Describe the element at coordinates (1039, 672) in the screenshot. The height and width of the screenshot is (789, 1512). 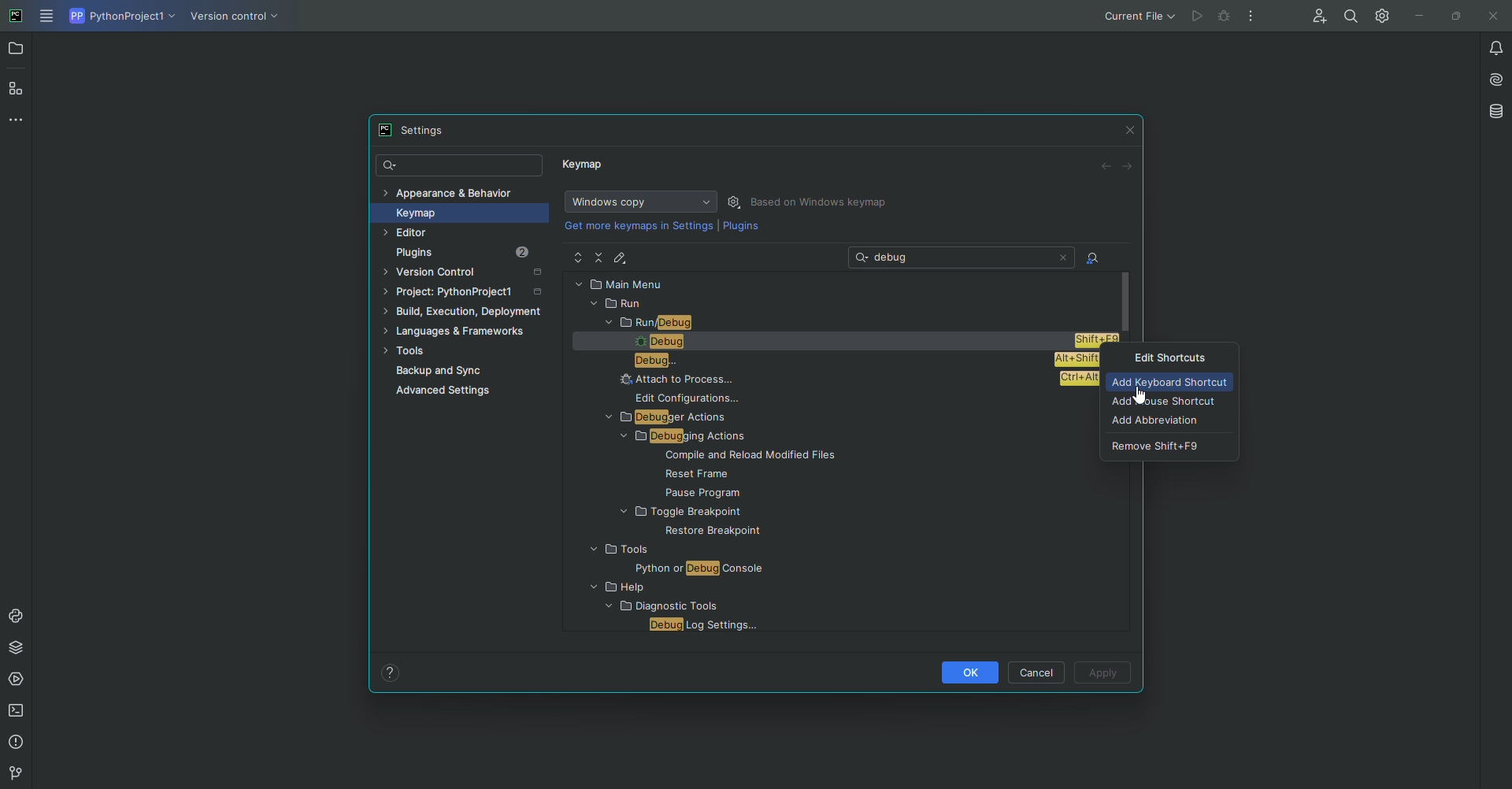
I see `Cancel` at that location.